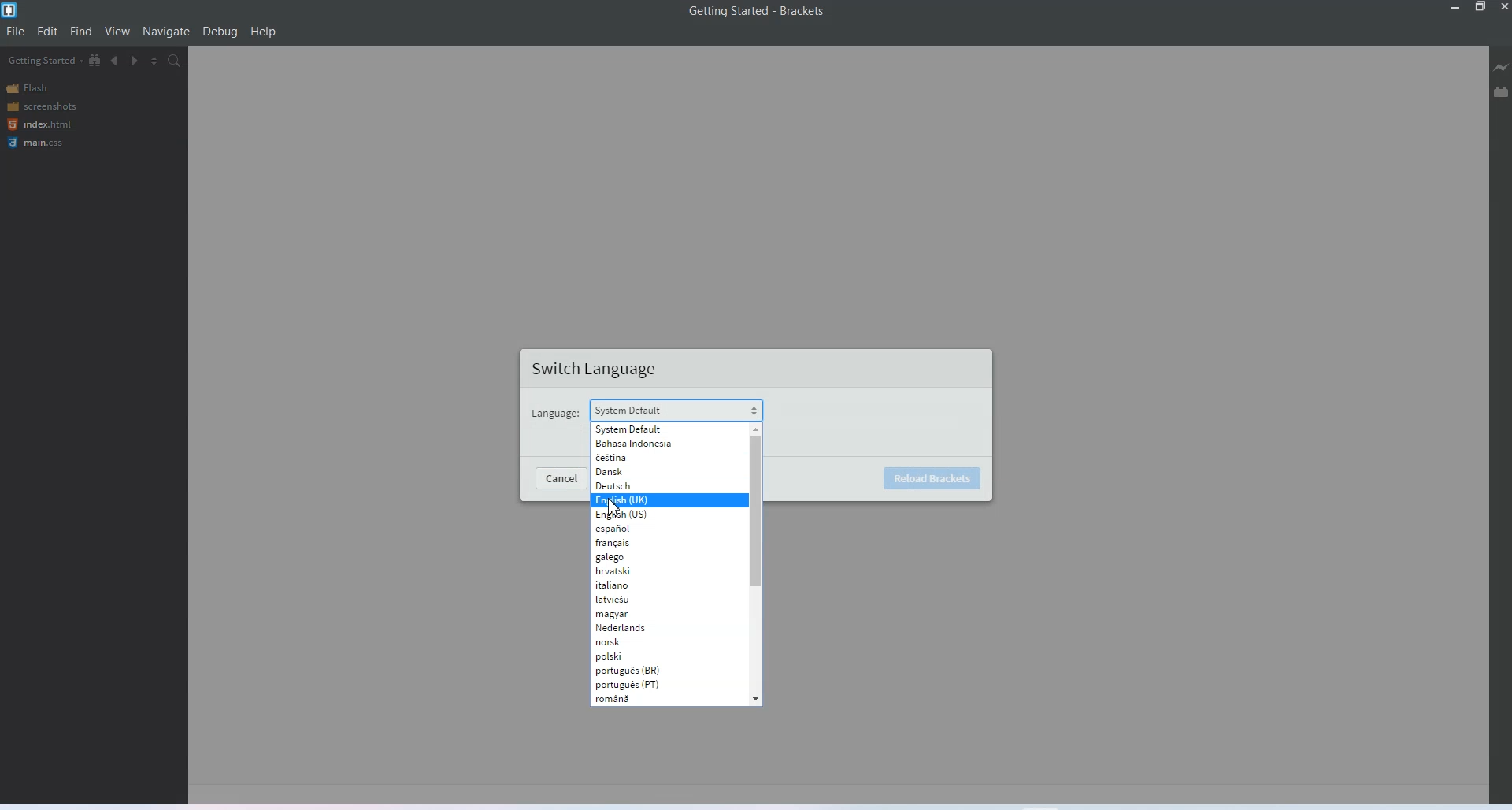 This screenshot has width=1512, height=810. I want to click on Close, so click(1503, 8).